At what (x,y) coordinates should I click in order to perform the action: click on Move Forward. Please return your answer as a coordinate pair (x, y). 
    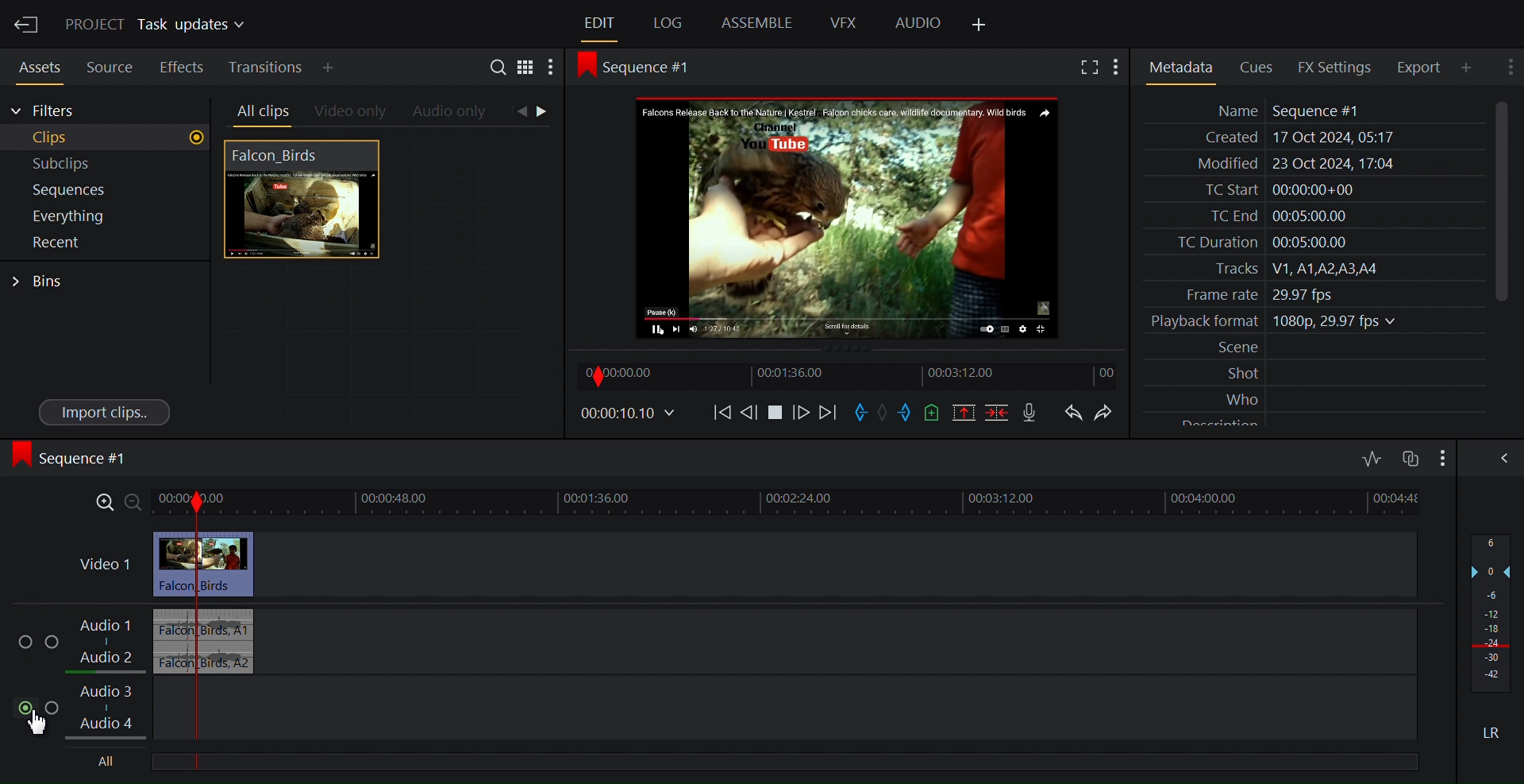
    Looking at the image, I should click on (826, 415).